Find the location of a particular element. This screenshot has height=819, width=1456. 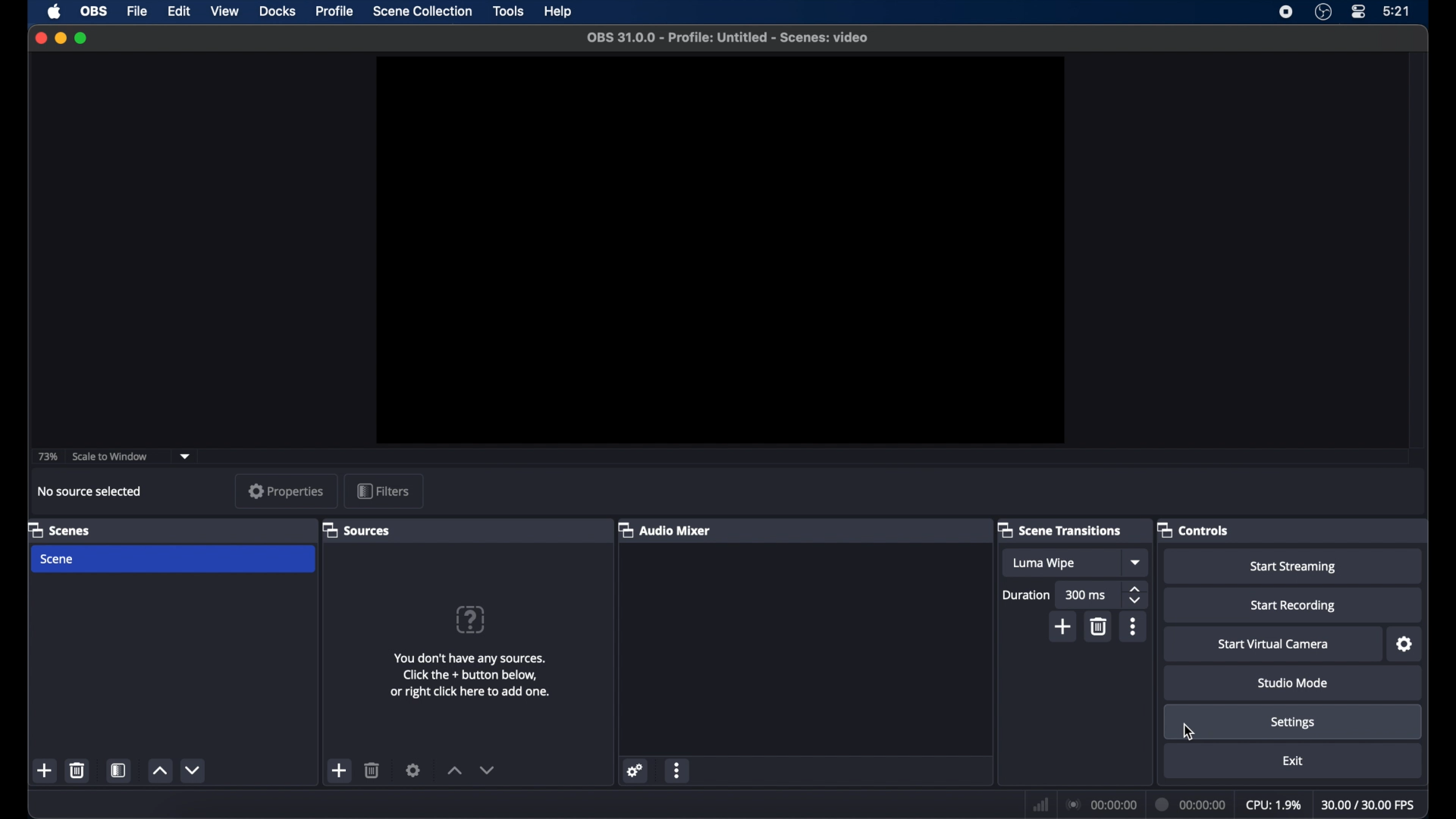

you don't have any sources. Click the + button below, or right click here to add one,. is located at coordinates (465, 676).